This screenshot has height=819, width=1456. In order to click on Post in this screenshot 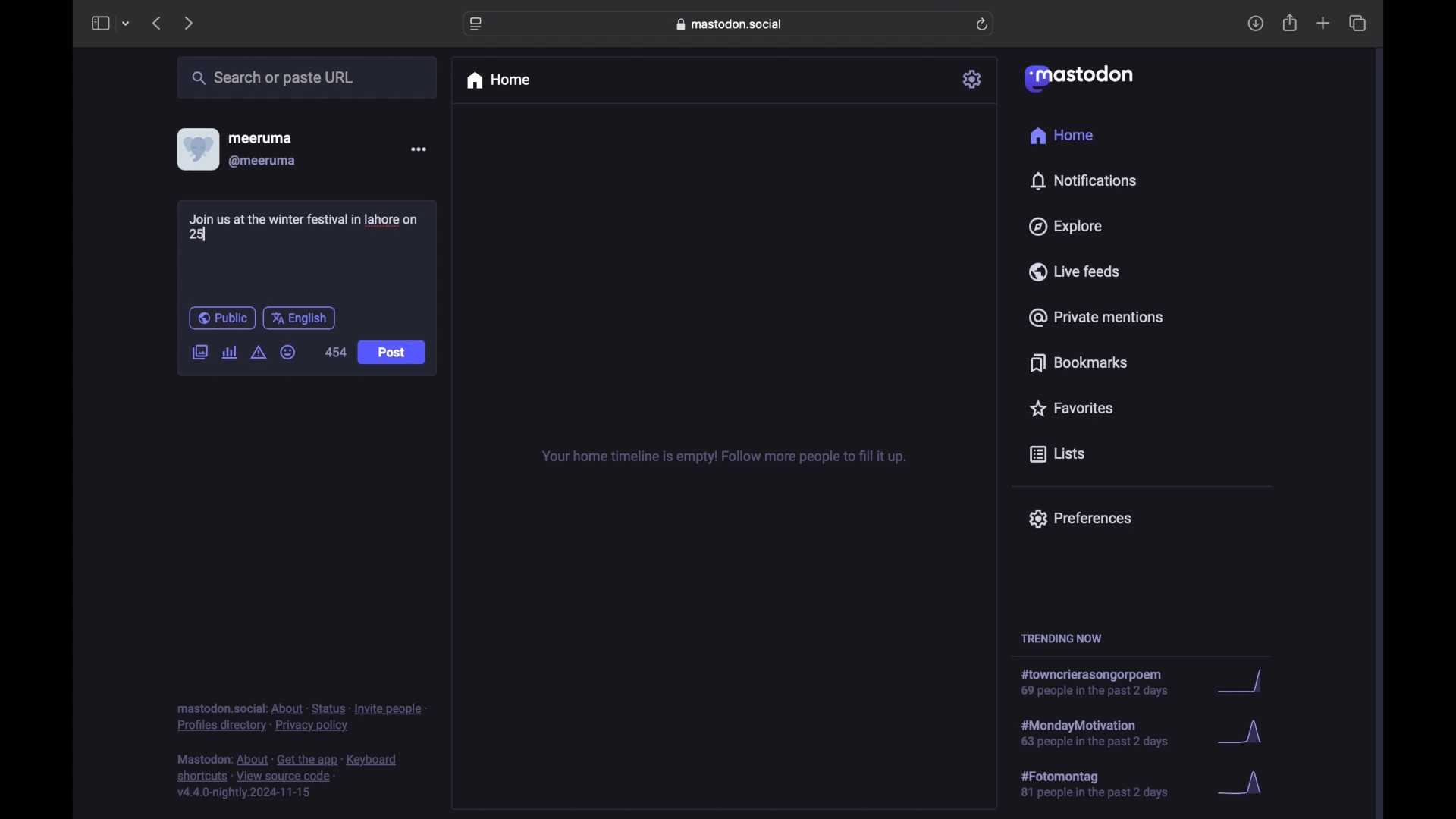, I will do `click(393, 353)`.